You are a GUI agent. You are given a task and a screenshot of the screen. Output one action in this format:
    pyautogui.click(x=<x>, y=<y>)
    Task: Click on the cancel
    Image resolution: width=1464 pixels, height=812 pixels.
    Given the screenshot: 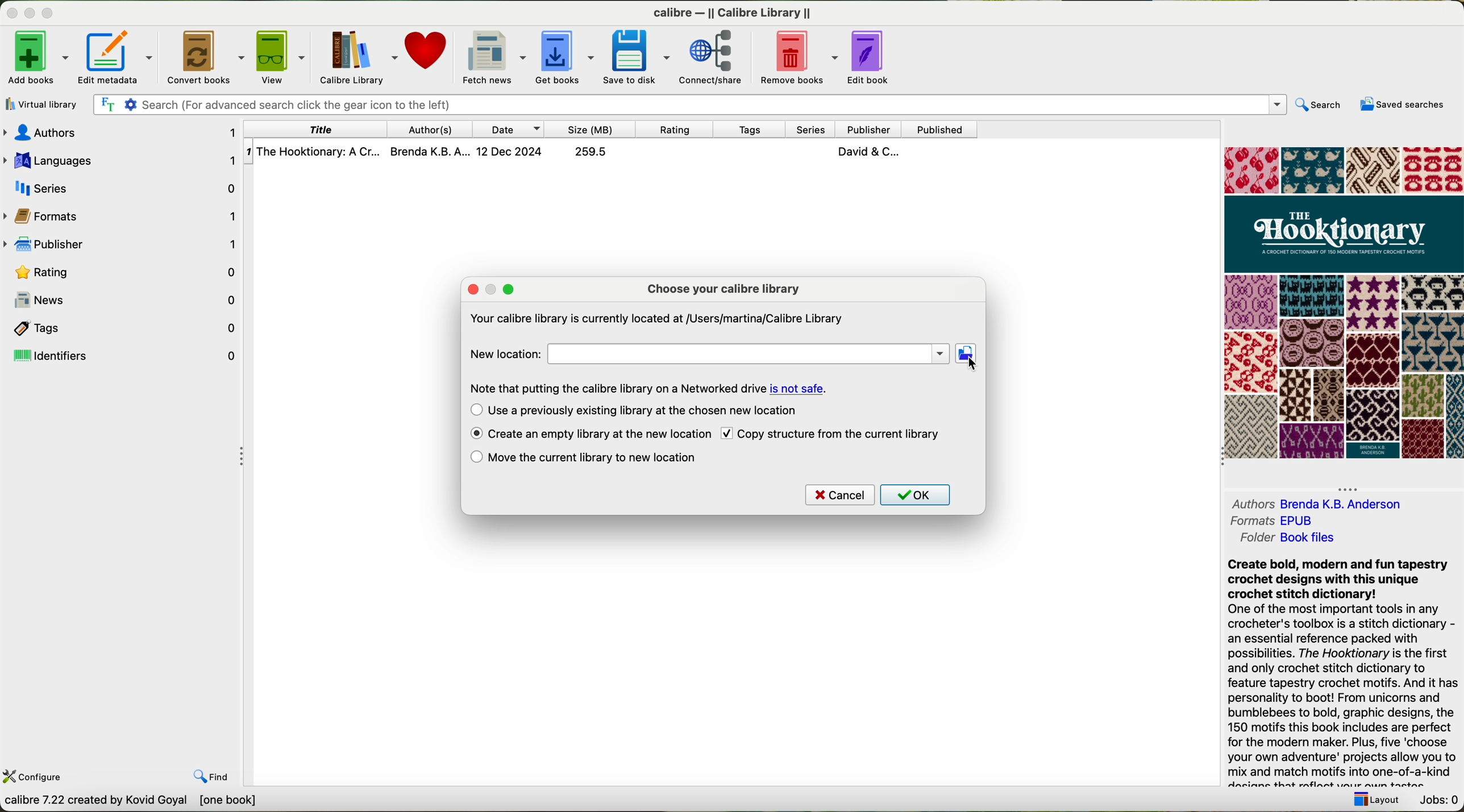 What is the action you would take?
    pyautogui.click(x=840, y=494)
    